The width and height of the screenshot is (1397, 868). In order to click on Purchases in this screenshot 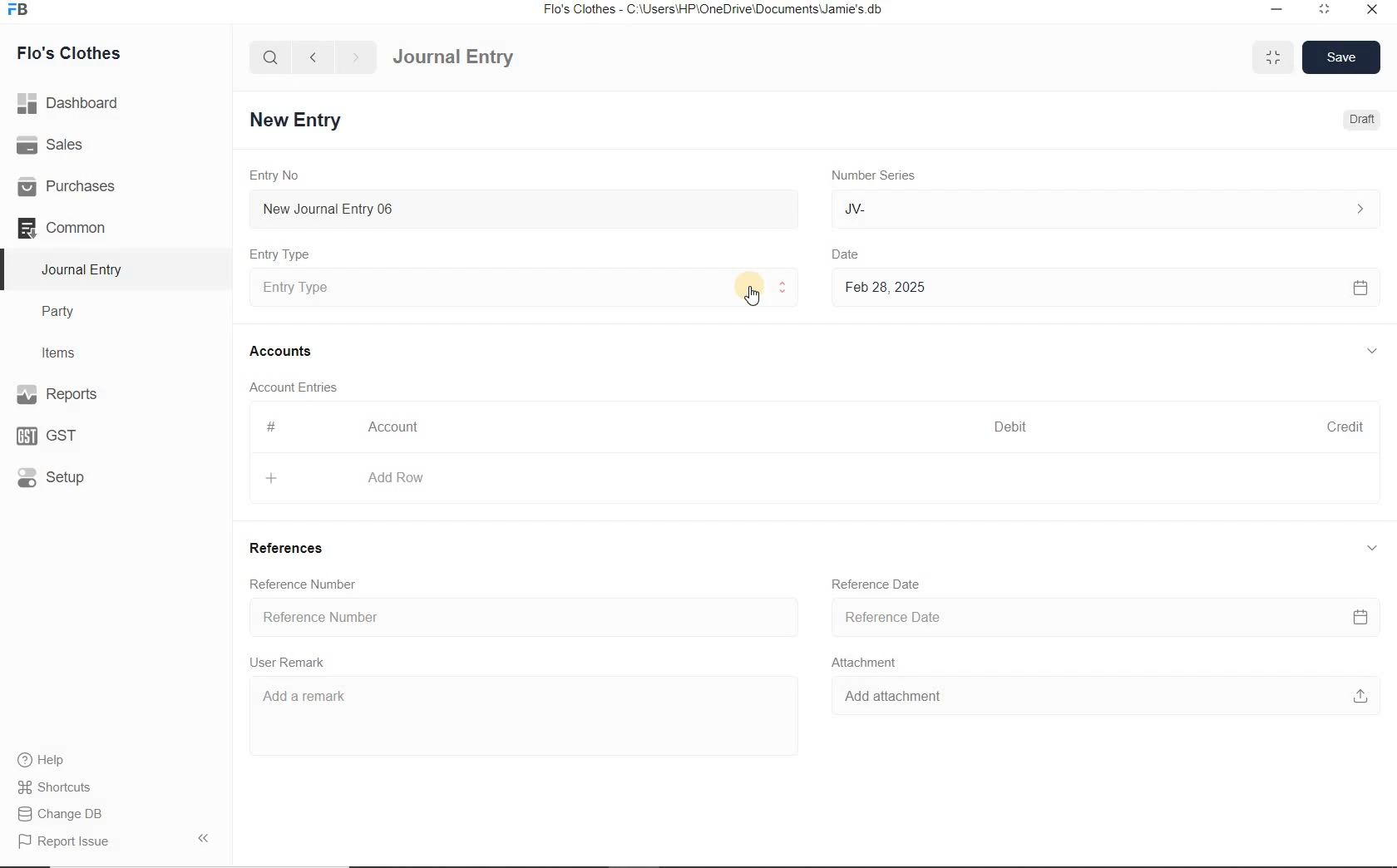, I will do `click(74, 185)`.